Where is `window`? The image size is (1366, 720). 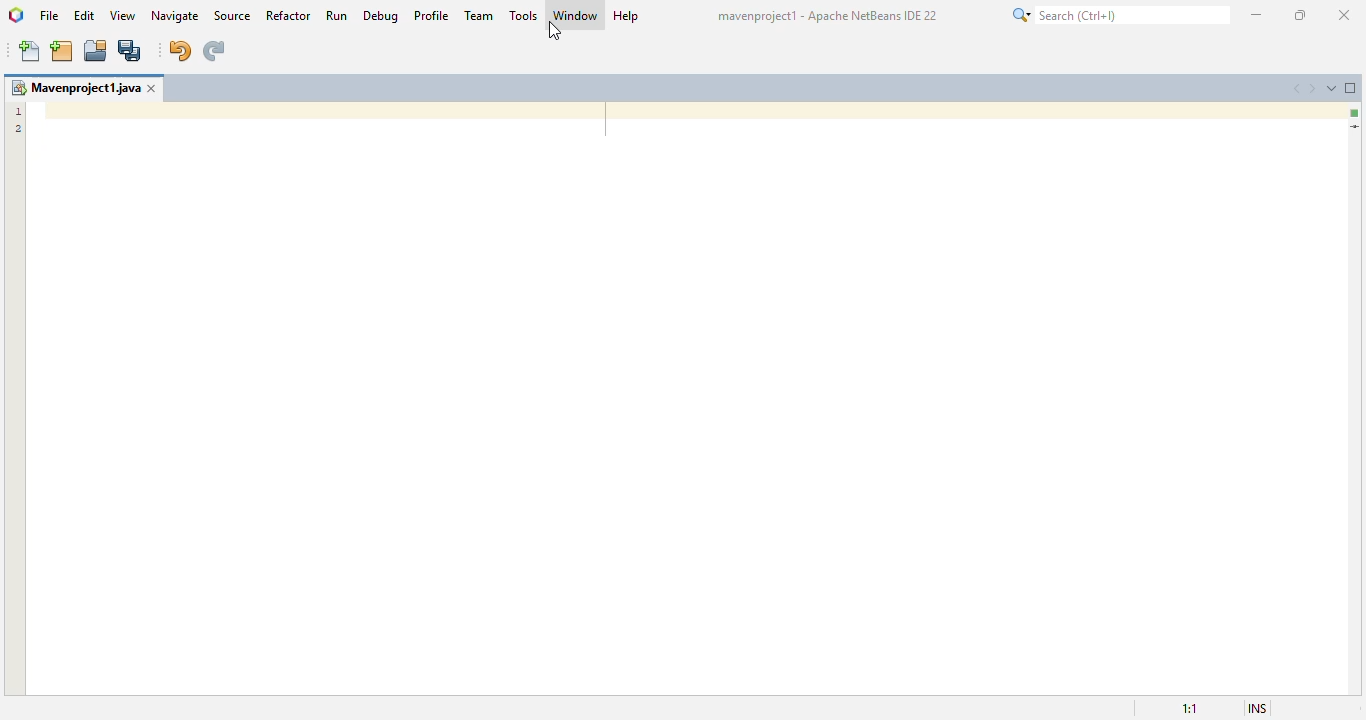 window is located at coordinates (576, 15).